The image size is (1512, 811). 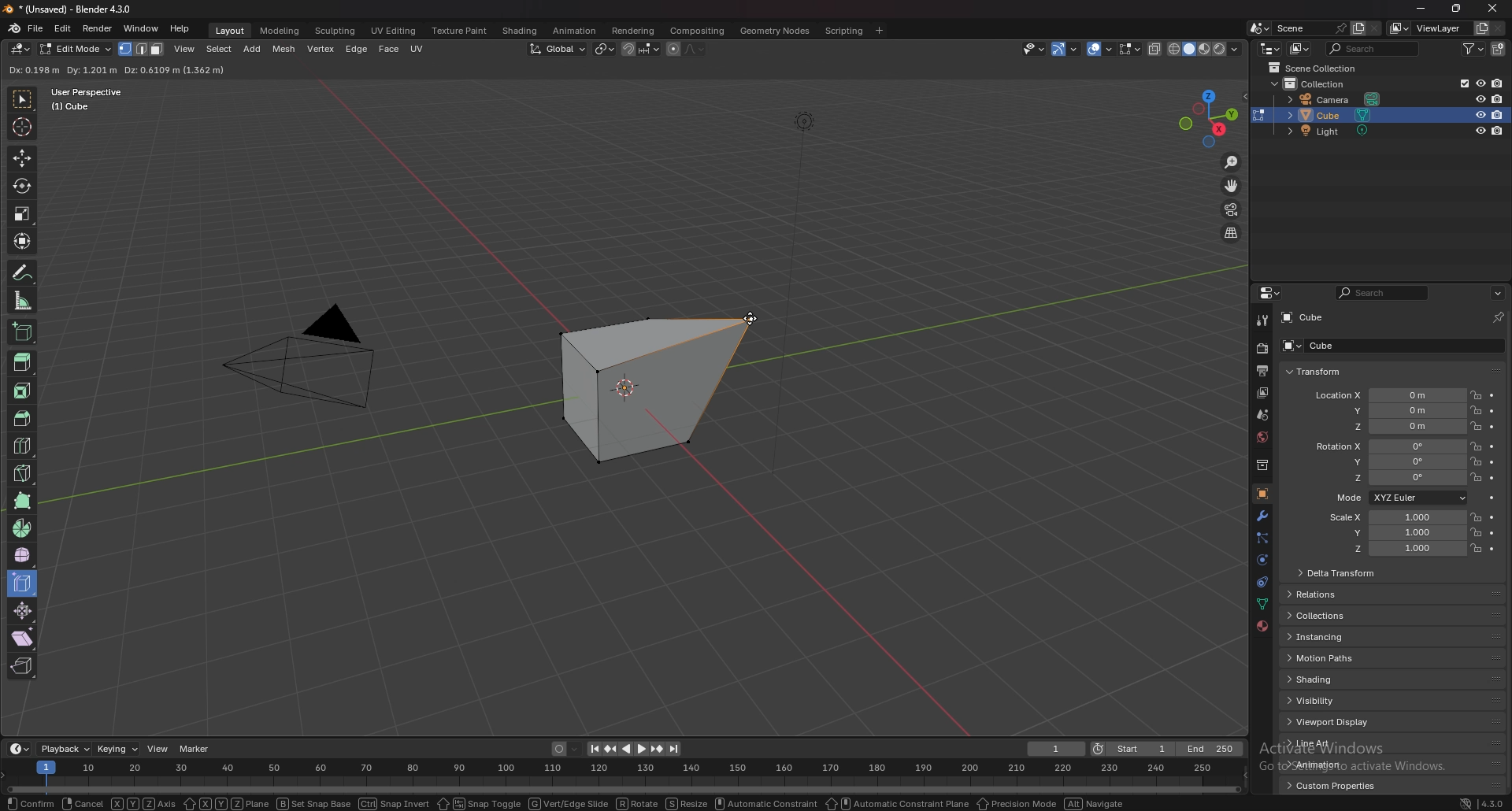 What do you see at coordinates (1475, 426) in the screenshot?
I see `lock` at bounding box center [1475, 426].